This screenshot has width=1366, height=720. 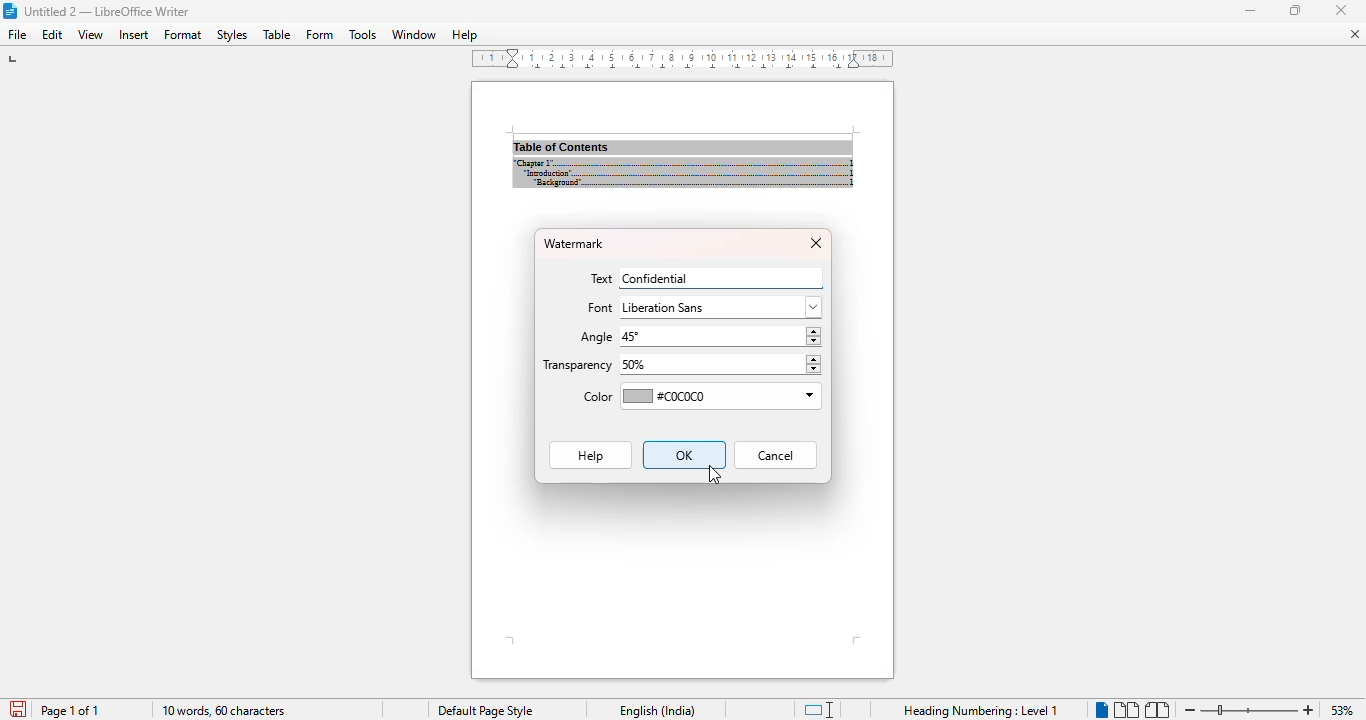 I want to click on multi-page view, so click(x=1126, y=709).